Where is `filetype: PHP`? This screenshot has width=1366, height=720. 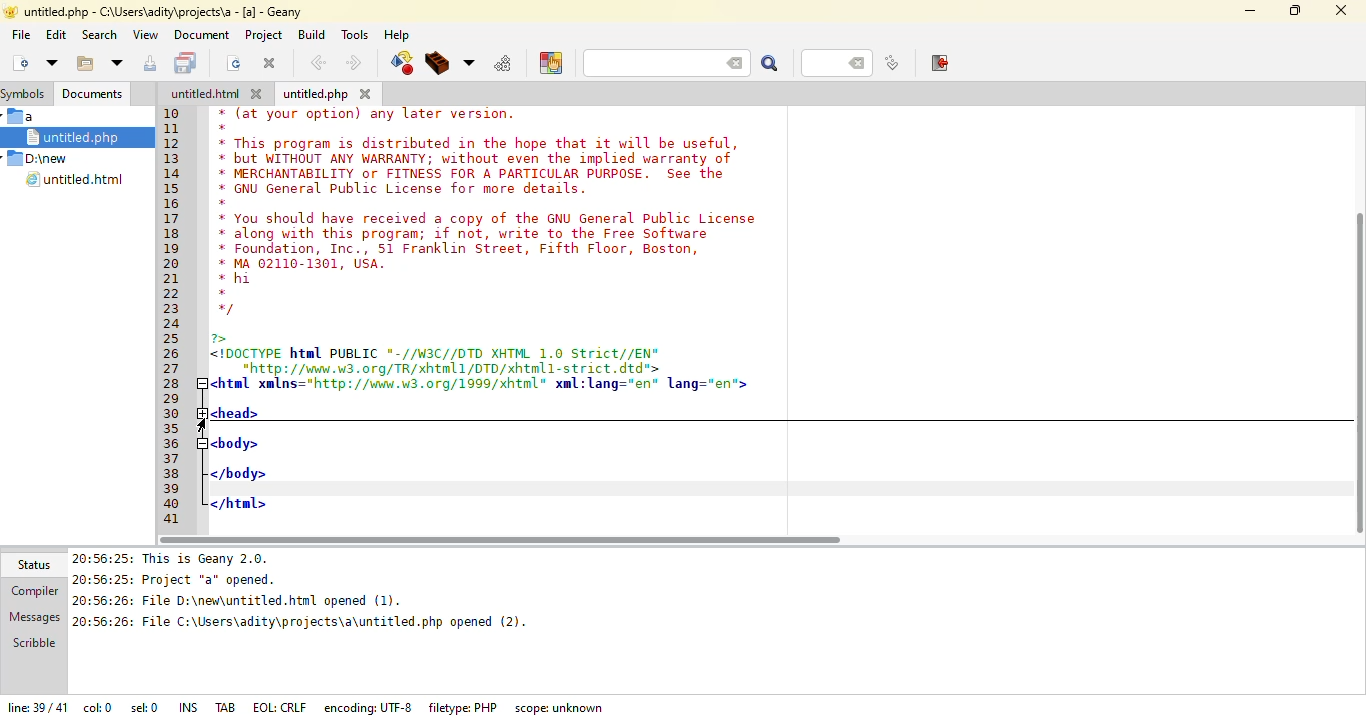
filetype: PHP is located at coordinates (462, 708).